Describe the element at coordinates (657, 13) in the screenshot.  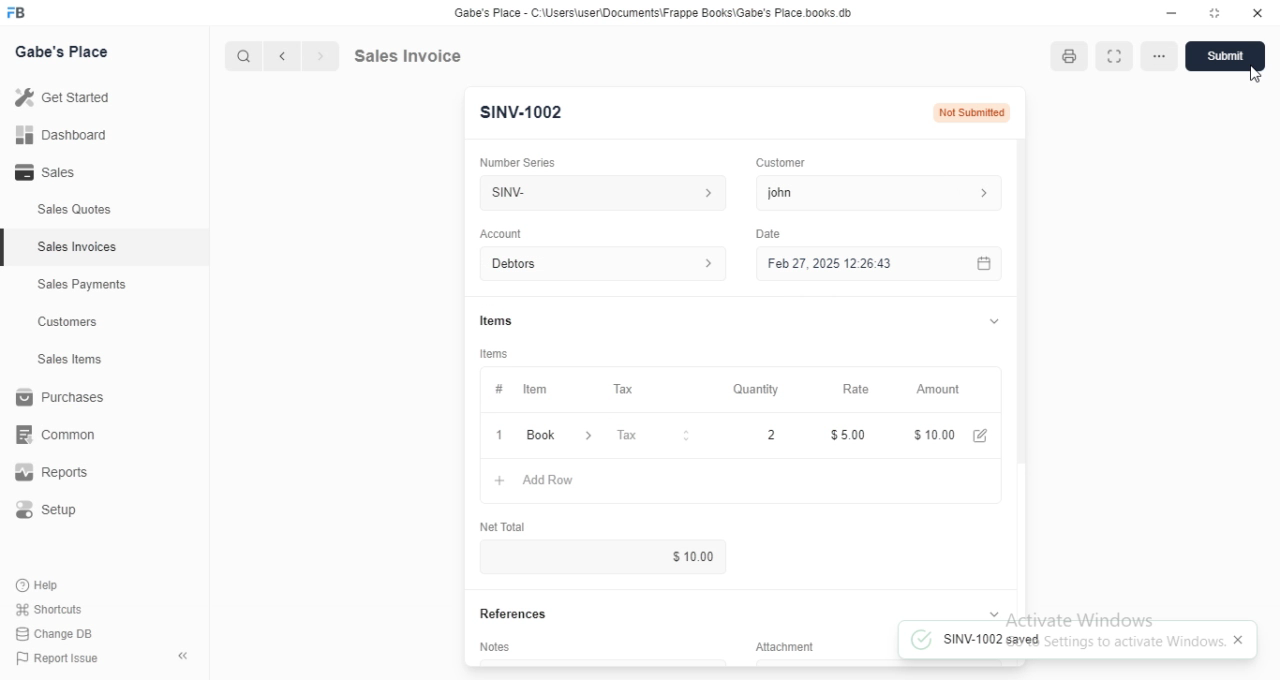
I see `Gabe's Place - C'\Users\userDocuments\Frappe Books\Gabe's Place books db` at that location.